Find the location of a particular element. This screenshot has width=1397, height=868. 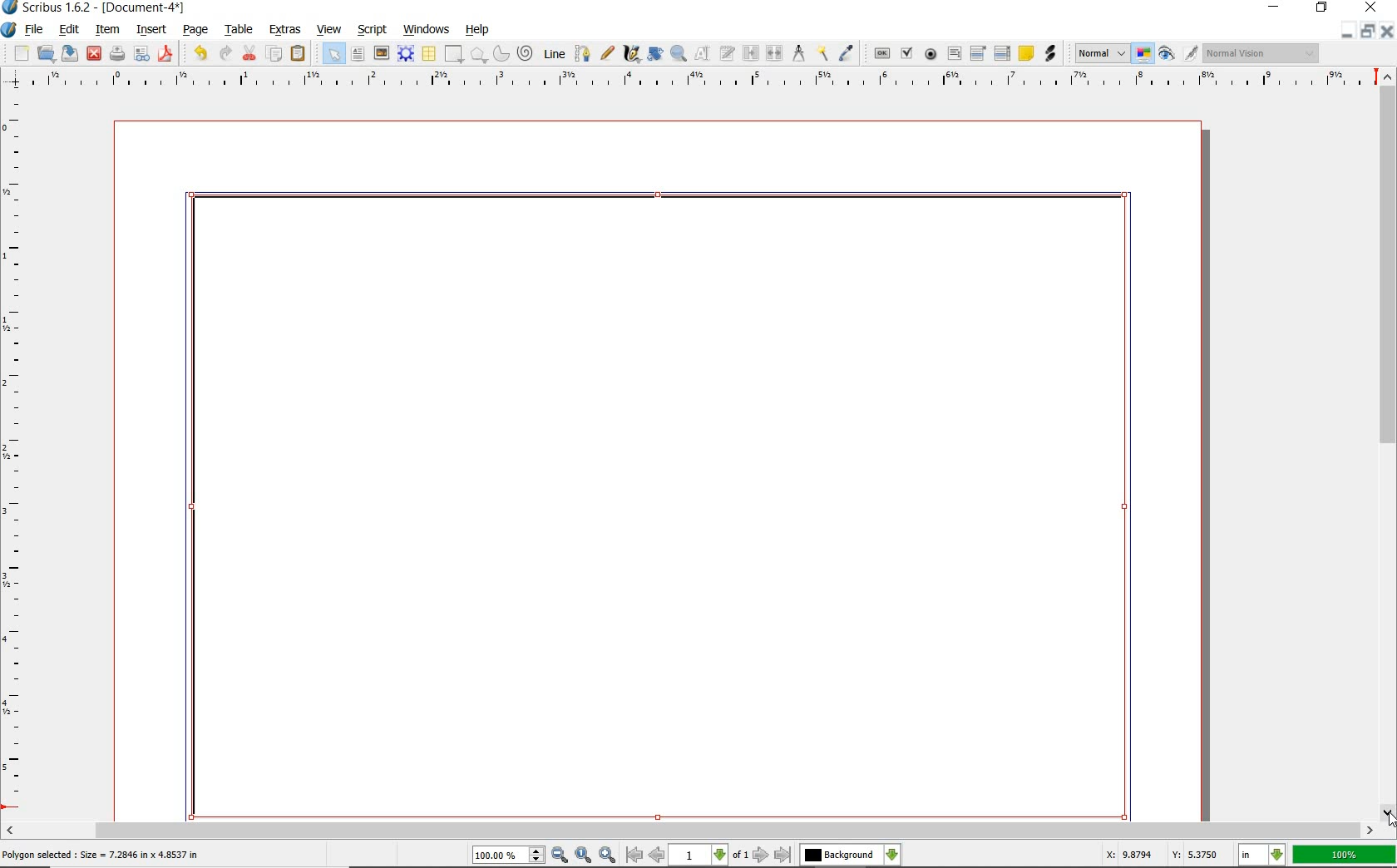

print is located at coordinates (116, 54).